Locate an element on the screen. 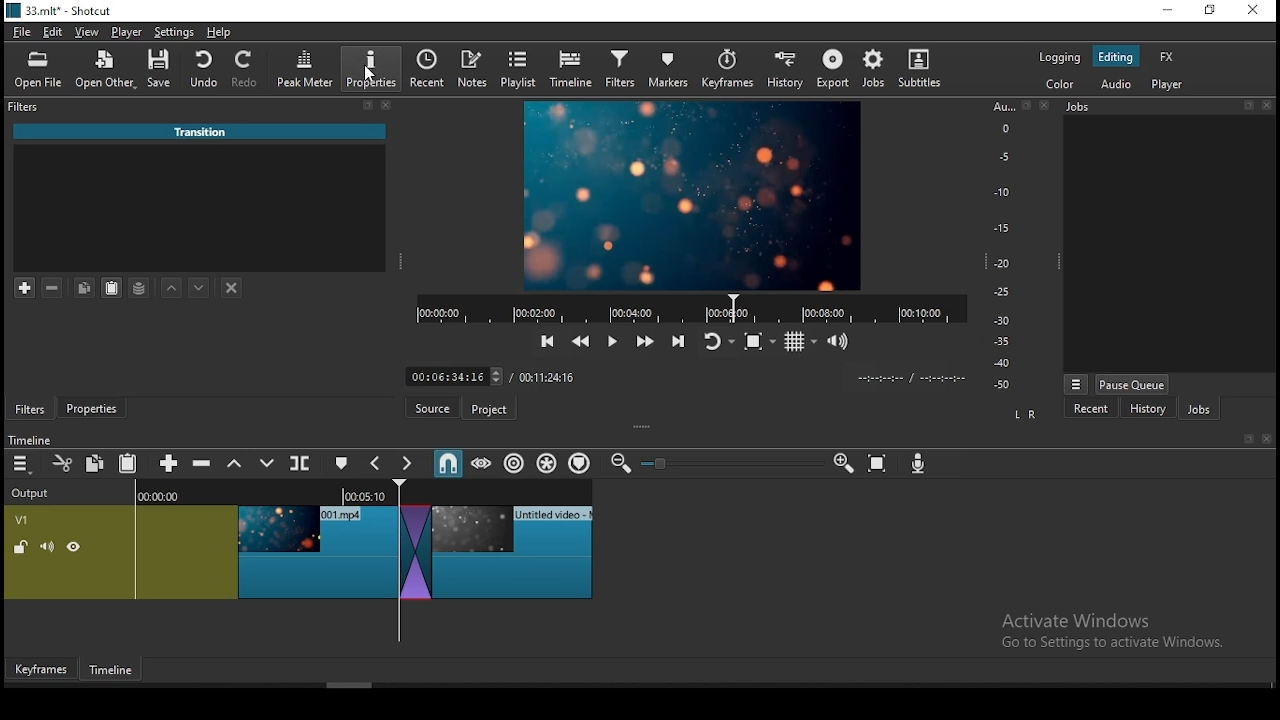 The width and height of the screenshot is (1280, 720). paste is located at coordinates (131, 465).